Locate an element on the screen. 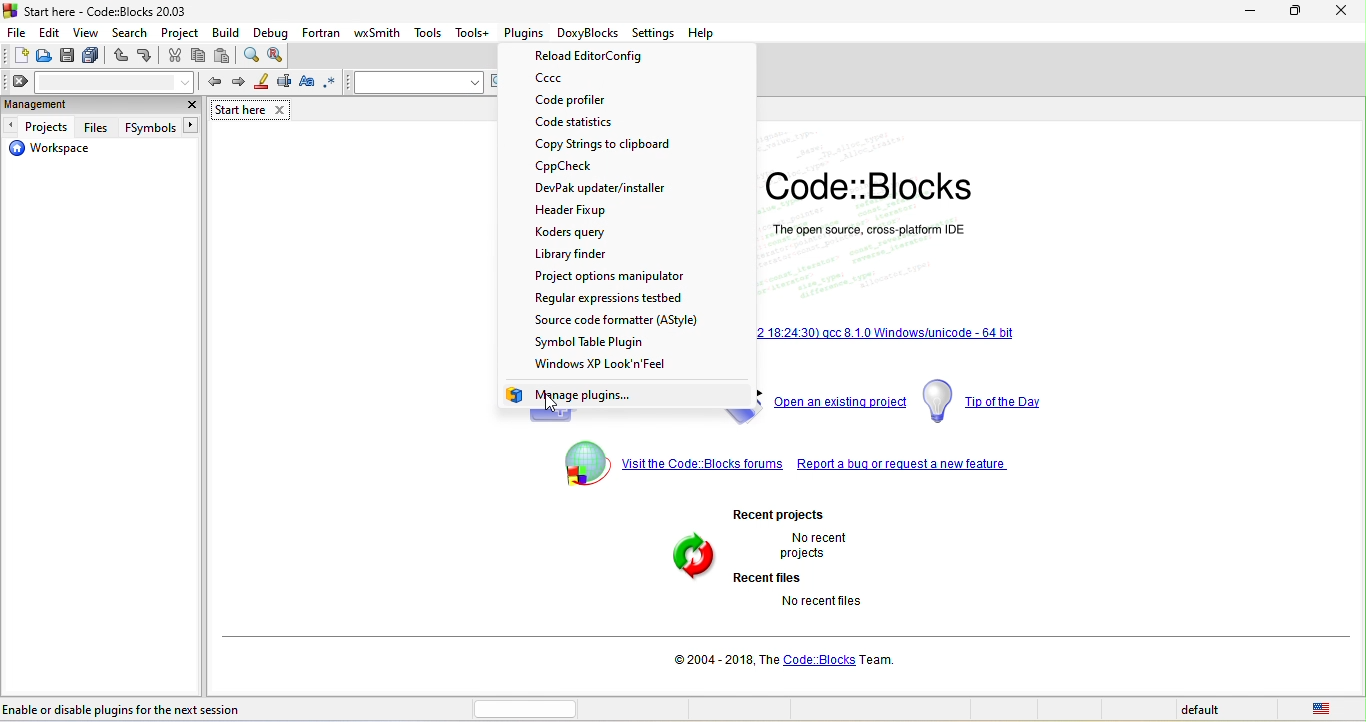 Image resolution: width=1366 pixels, height=722 pixels. code blocks is located at coordinates (874, 186).